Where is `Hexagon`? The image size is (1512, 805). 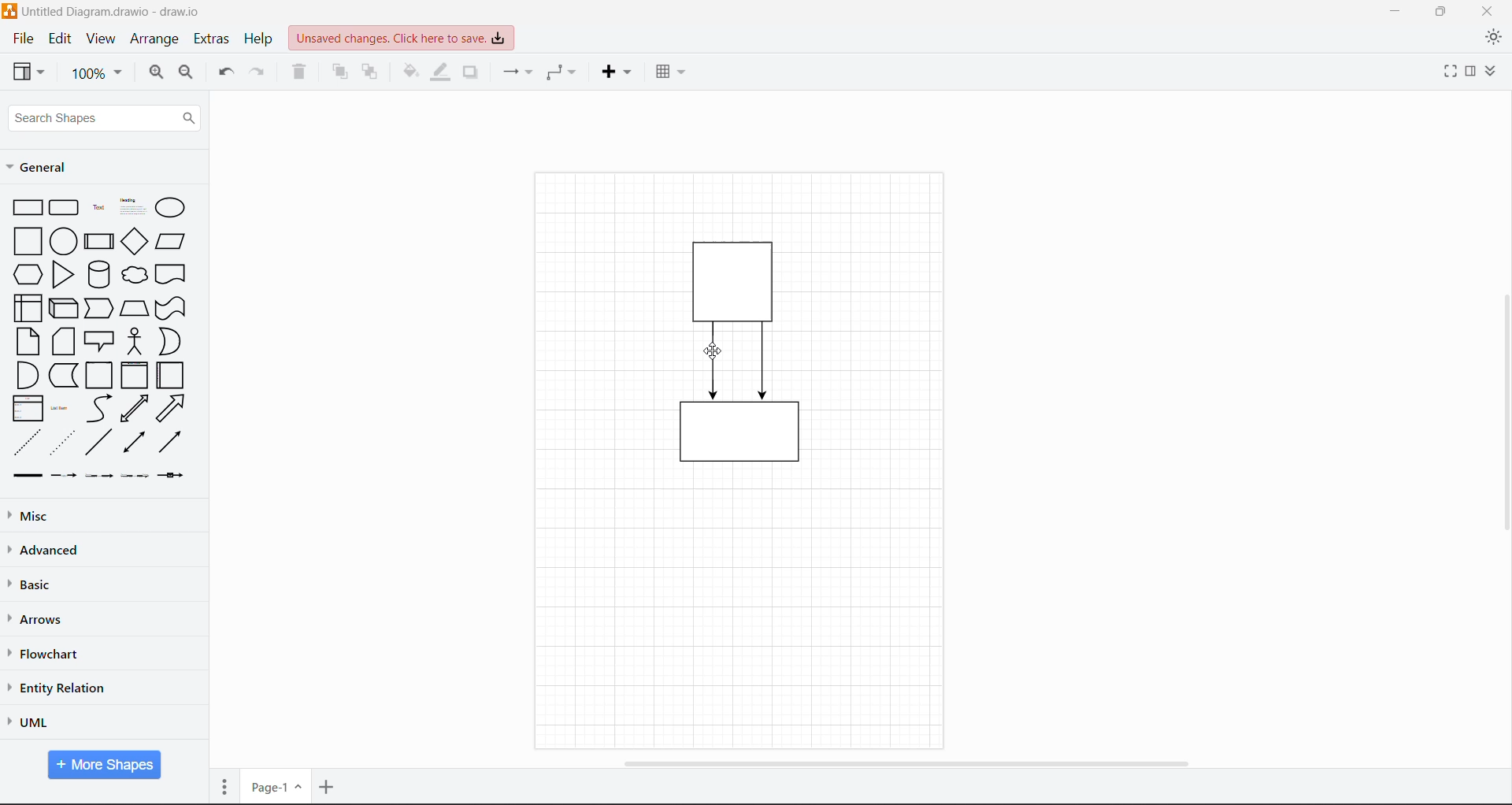
Hexagon is located at coordinates (27, 273).